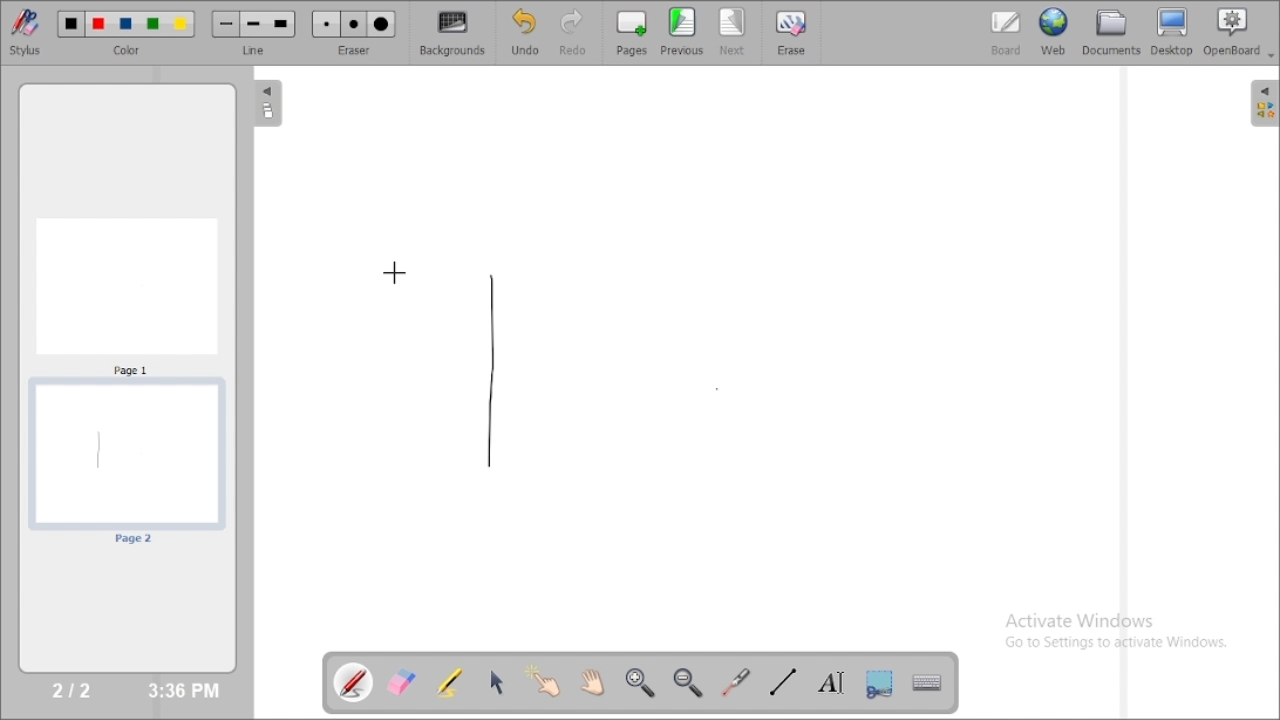 The image size is (1280, 720). What do you see at coordinates (255, 24) in the screenshot?
I see `Medium line` at bounding box center [255, 24].